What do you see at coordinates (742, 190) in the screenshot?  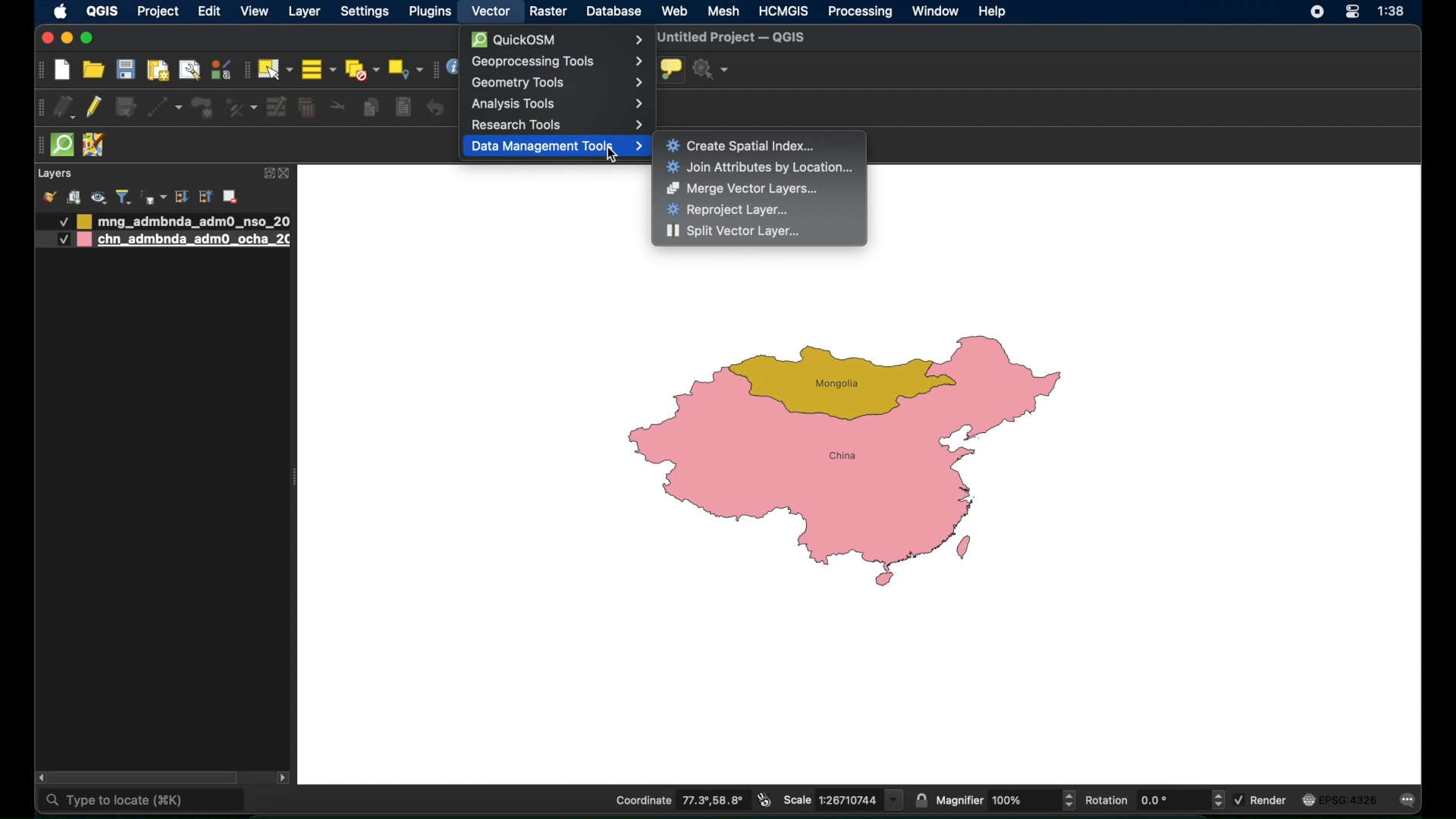 I see `Merge Vector Layers...` at bounding box center [742, 190].